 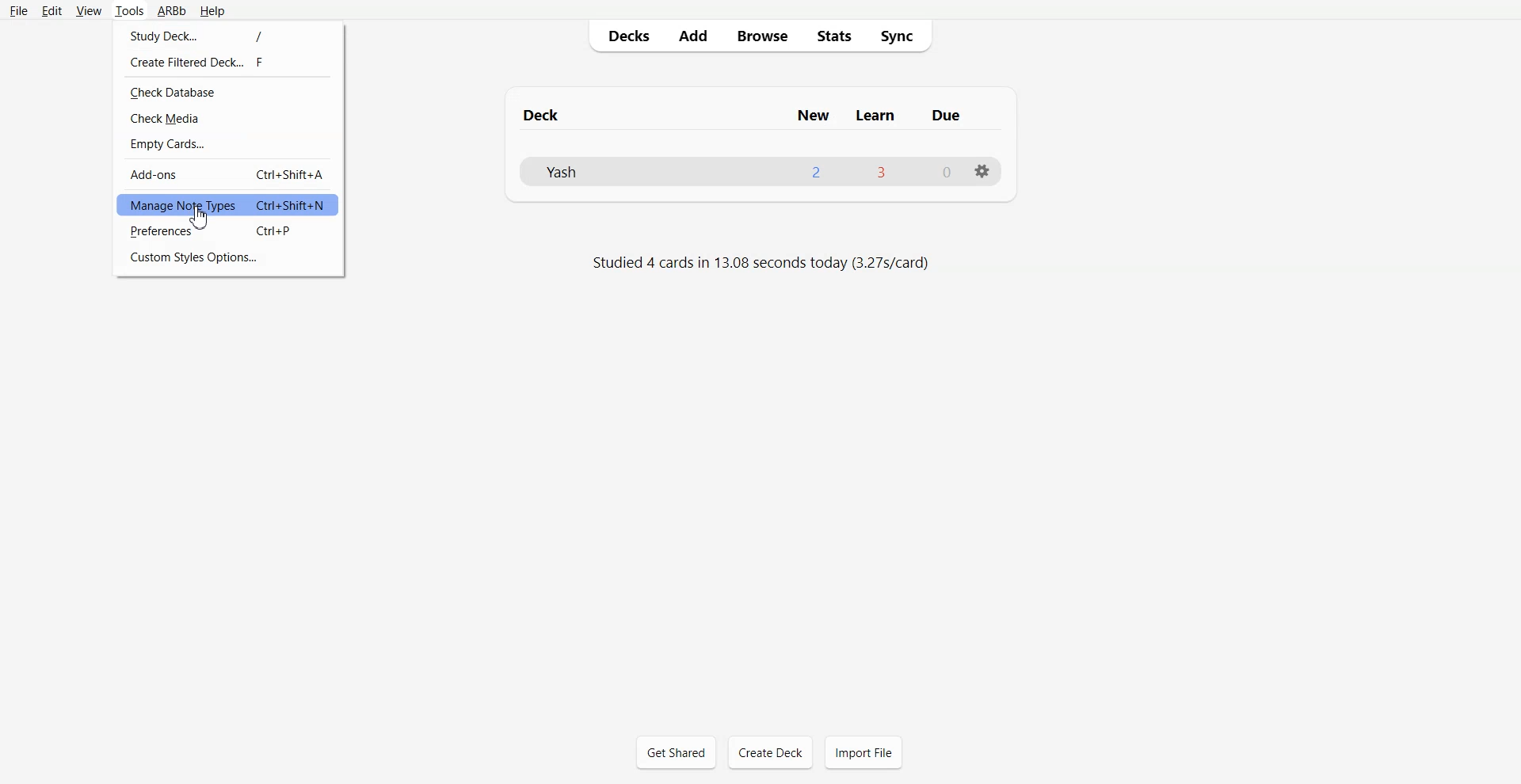 I want to click on Decks, so click(x=625, y=36).